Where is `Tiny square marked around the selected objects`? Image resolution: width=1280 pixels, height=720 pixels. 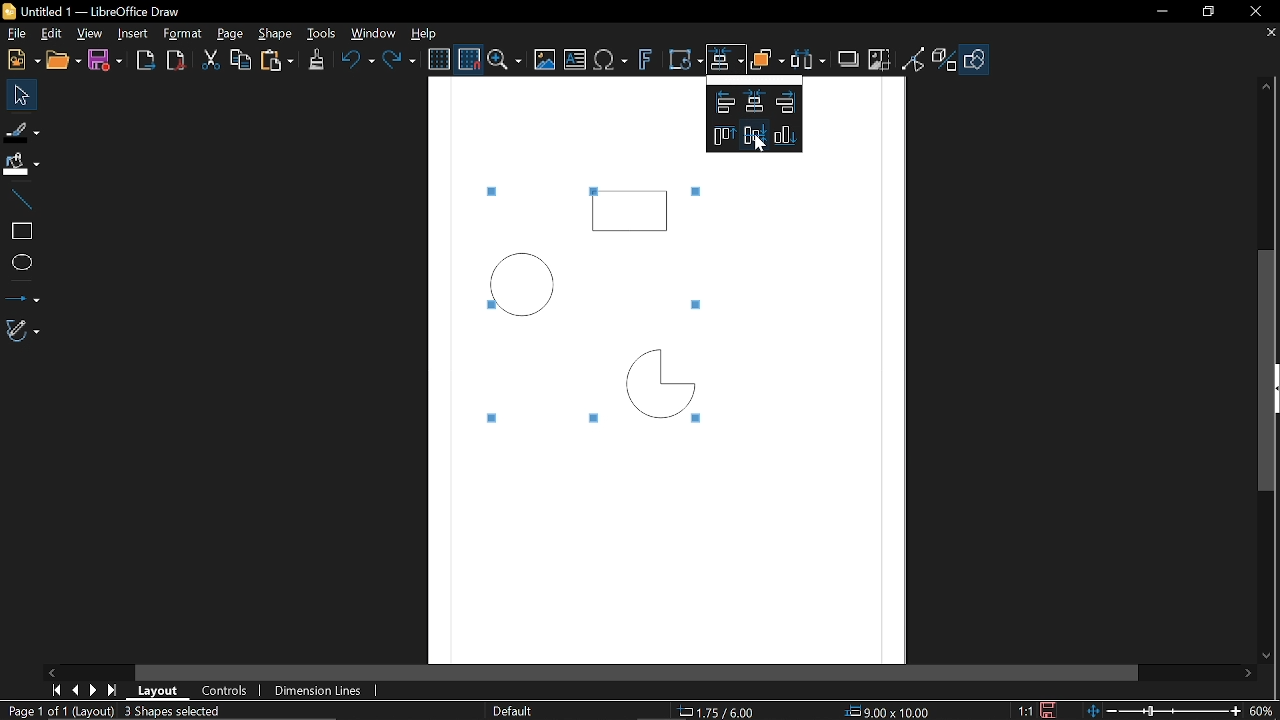
Tiny square marked around the selected objects is located at coordinates (689, 304).